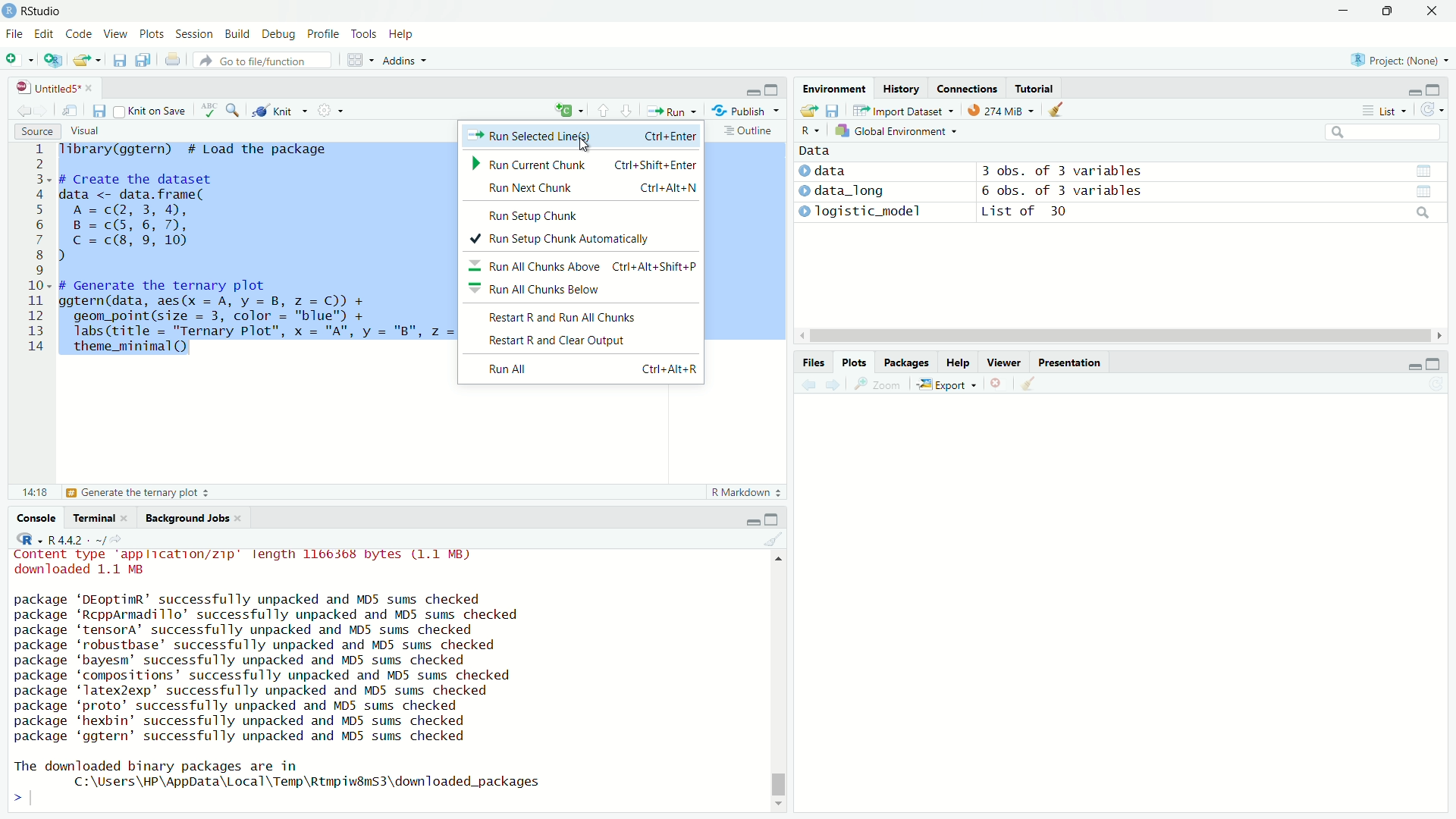 This screenshot has width=1456, height=819. Describe the element at coordinates (1407, 90) in the screenshot. I see `minimise` at that location.